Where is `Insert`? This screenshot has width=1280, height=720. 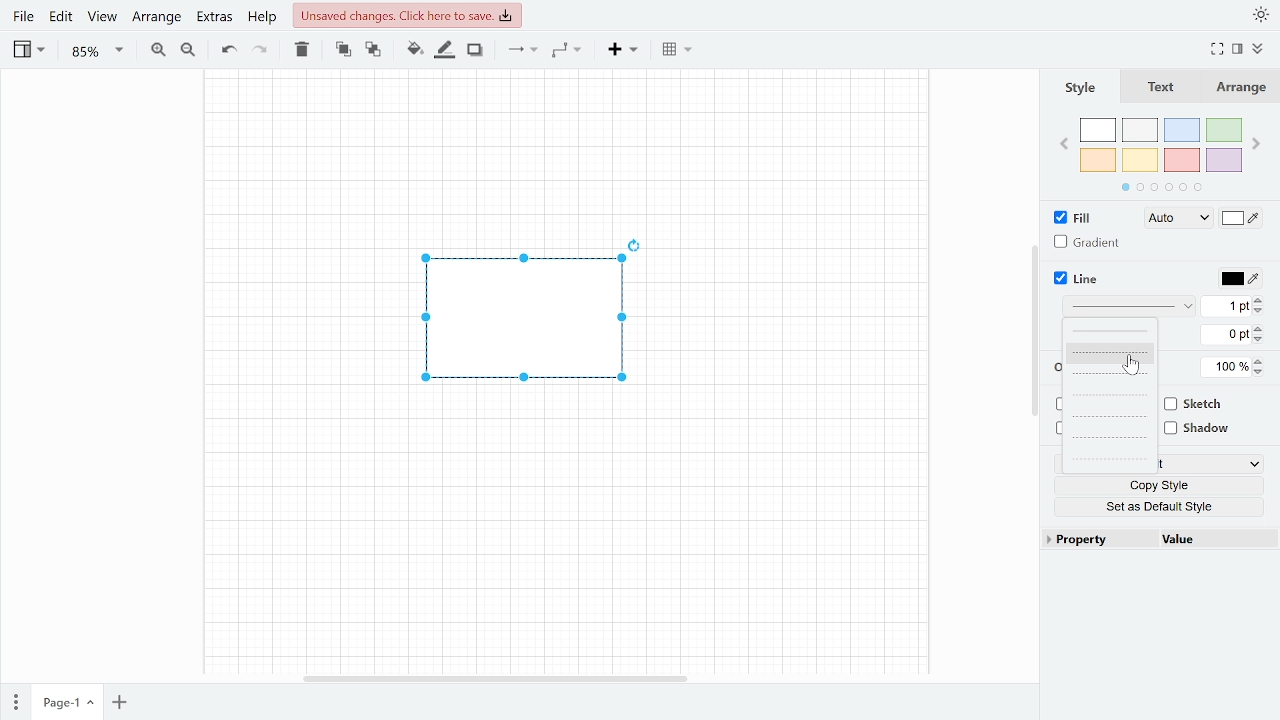
Insert is located at coordinates (622, 51).